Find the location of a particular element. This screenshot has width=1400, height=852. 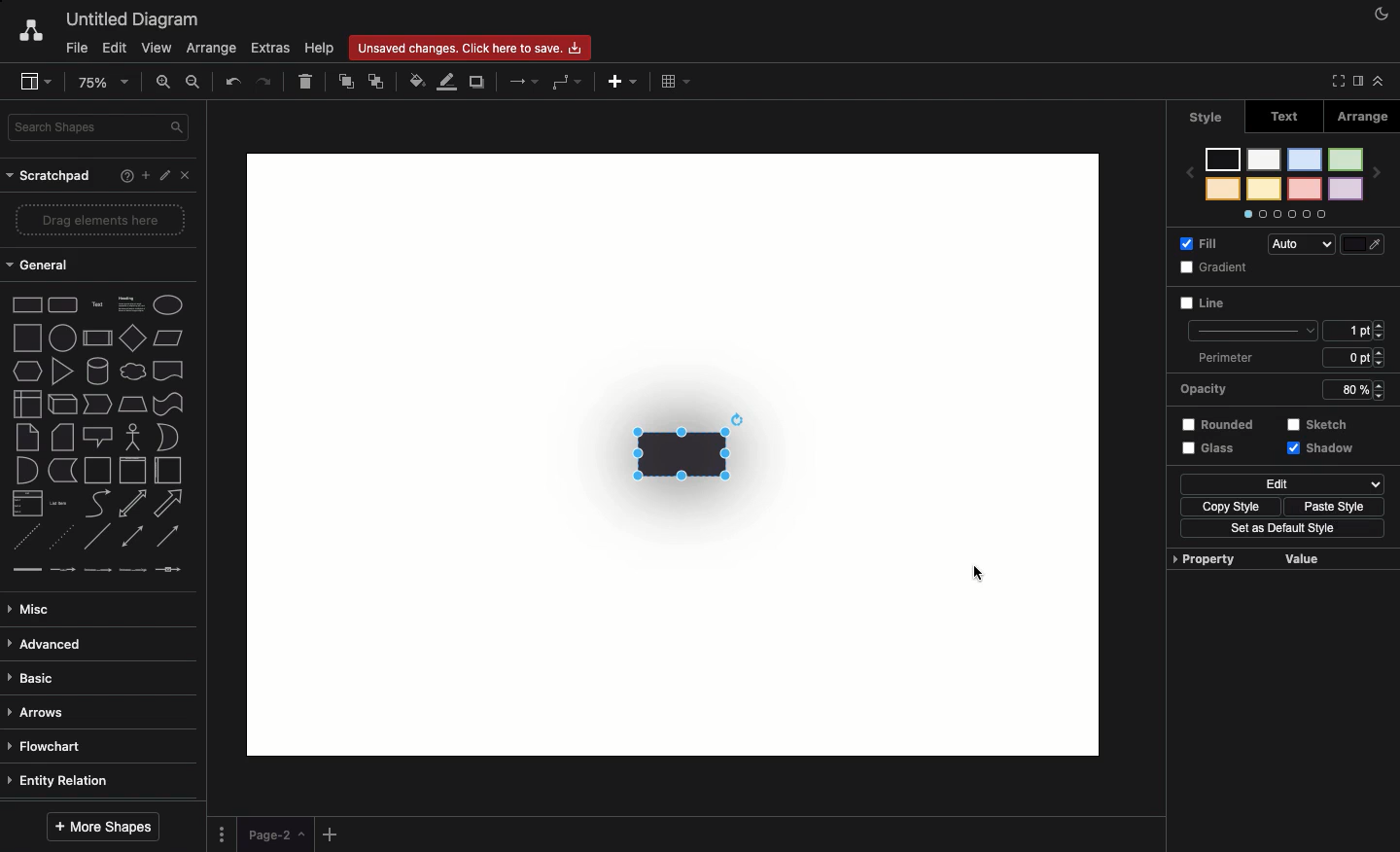

Night mode is located at coordinates (1380, 13).